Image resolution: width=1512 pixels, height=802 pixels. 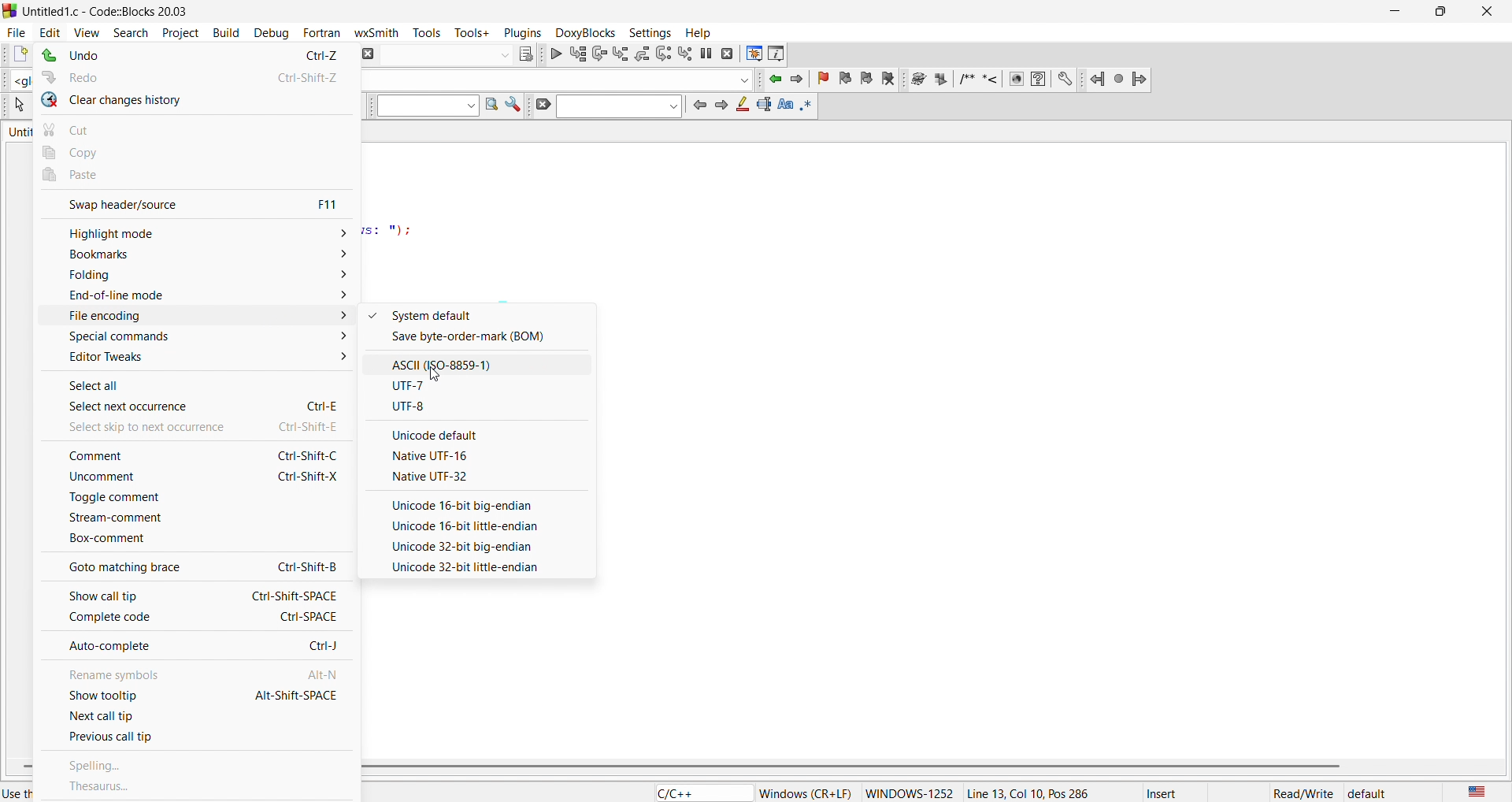 I want to click on special commands, so click(x=198, y=337).